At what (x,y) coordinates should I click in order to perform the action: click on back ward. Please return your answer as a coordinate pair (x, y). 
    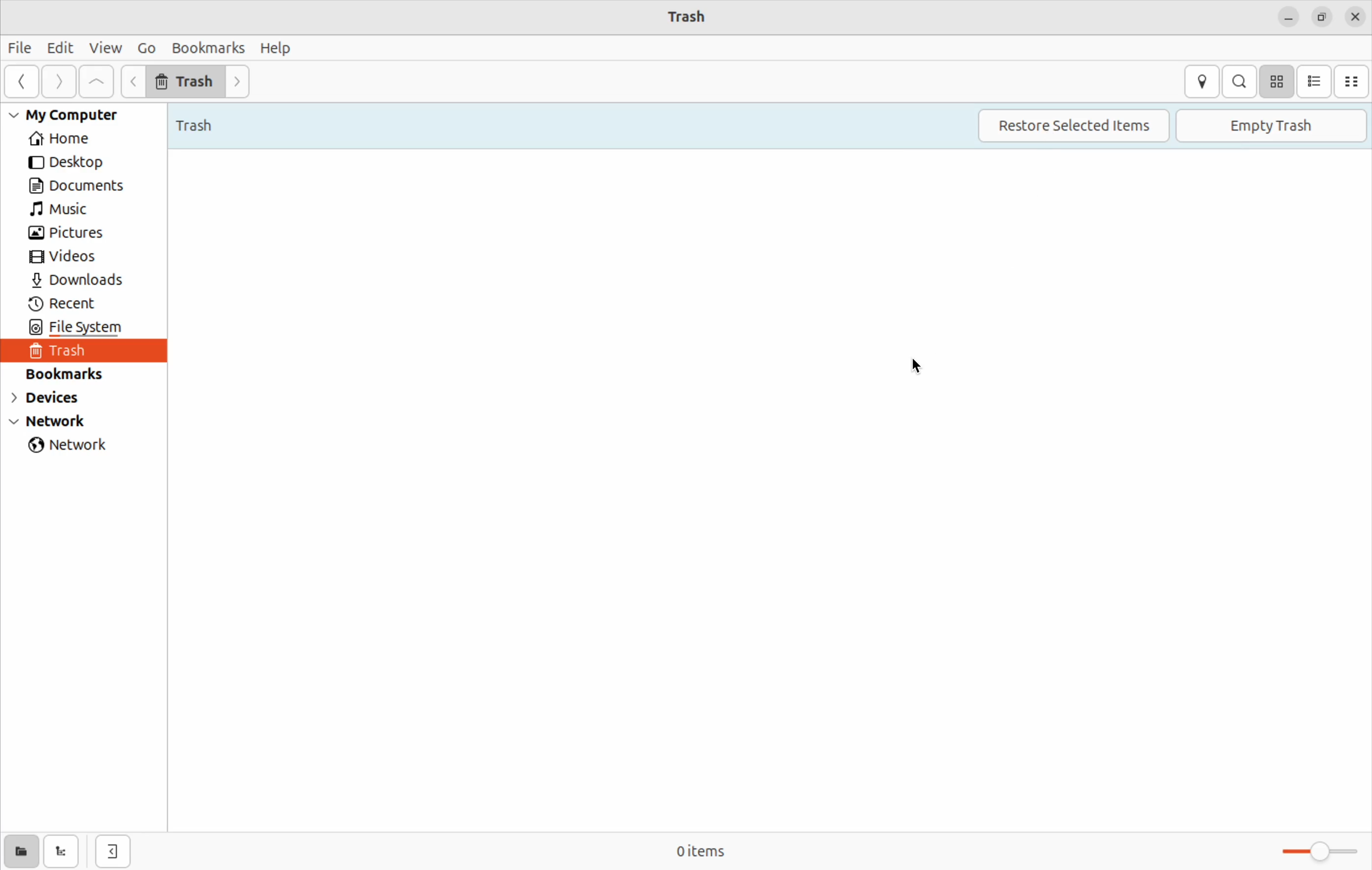
    Looking at the image, I should click on (23, 83).